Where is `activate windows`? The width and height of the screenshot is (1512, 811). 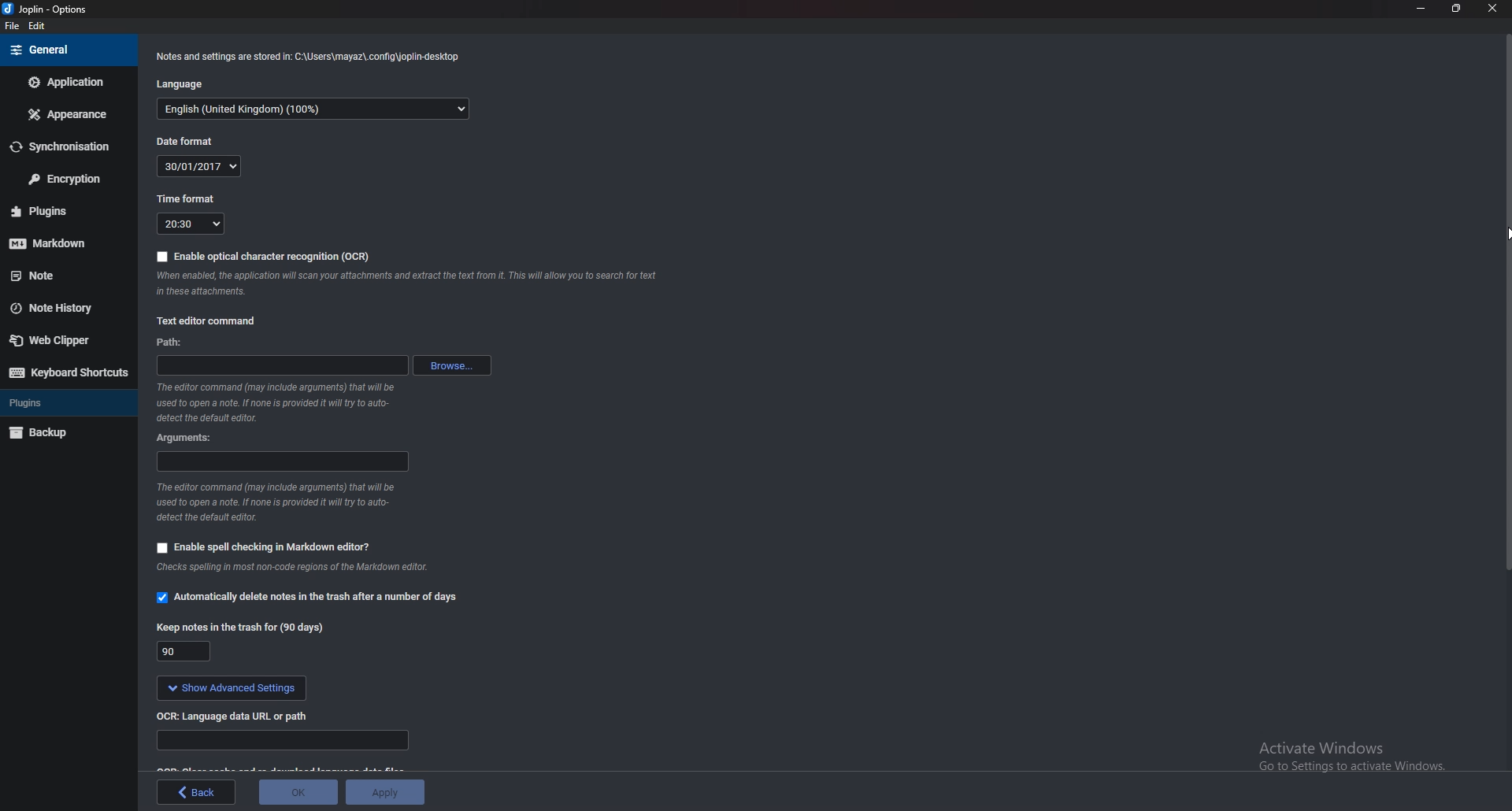 activate windows is located at coordinates (1354, 751).